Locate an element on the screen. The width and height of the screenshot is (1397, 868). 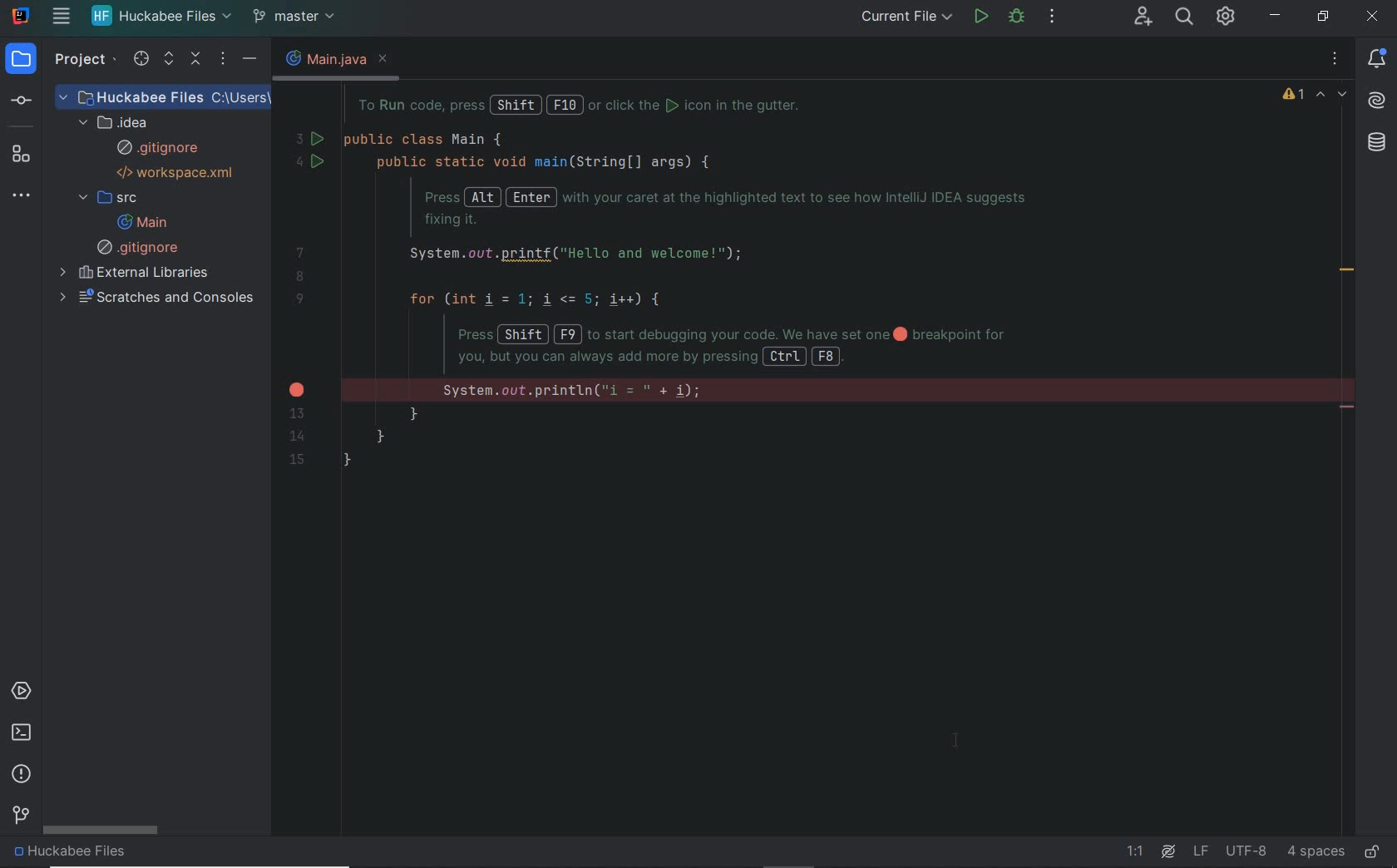
project file name is located at coordinates (161, 17).